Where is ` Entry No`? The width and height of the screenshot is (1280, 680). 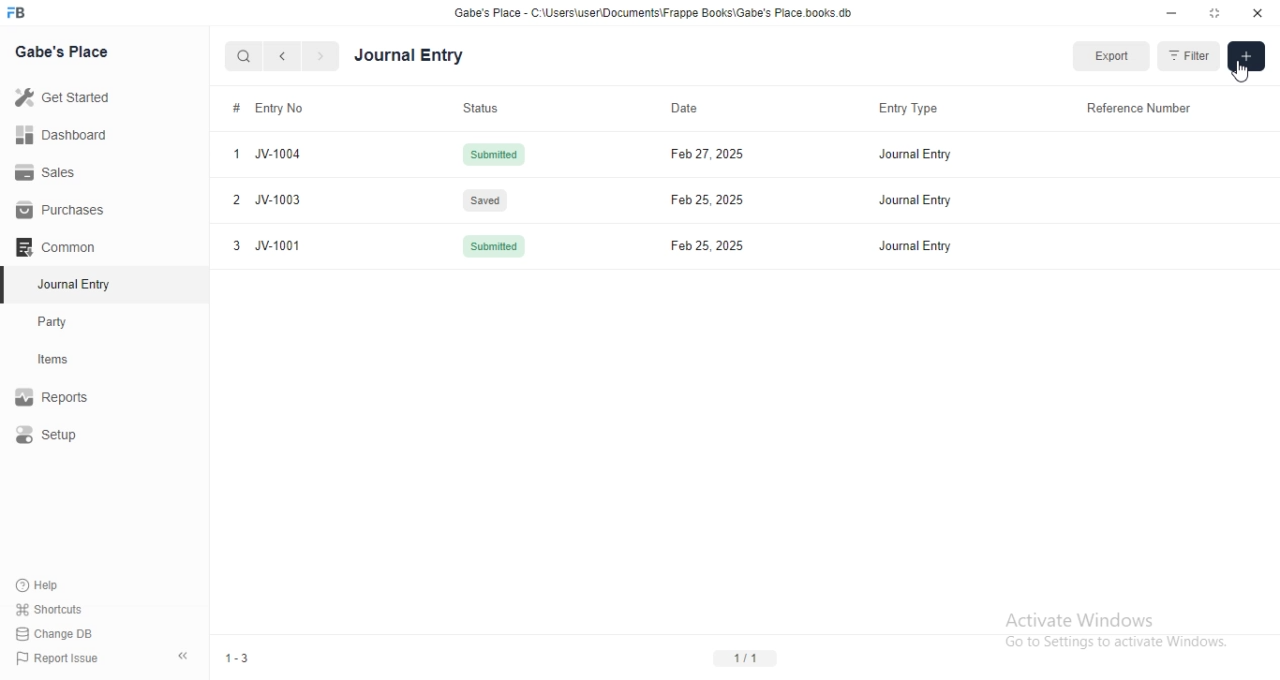  Entry No is located at coordinates (268, 107).